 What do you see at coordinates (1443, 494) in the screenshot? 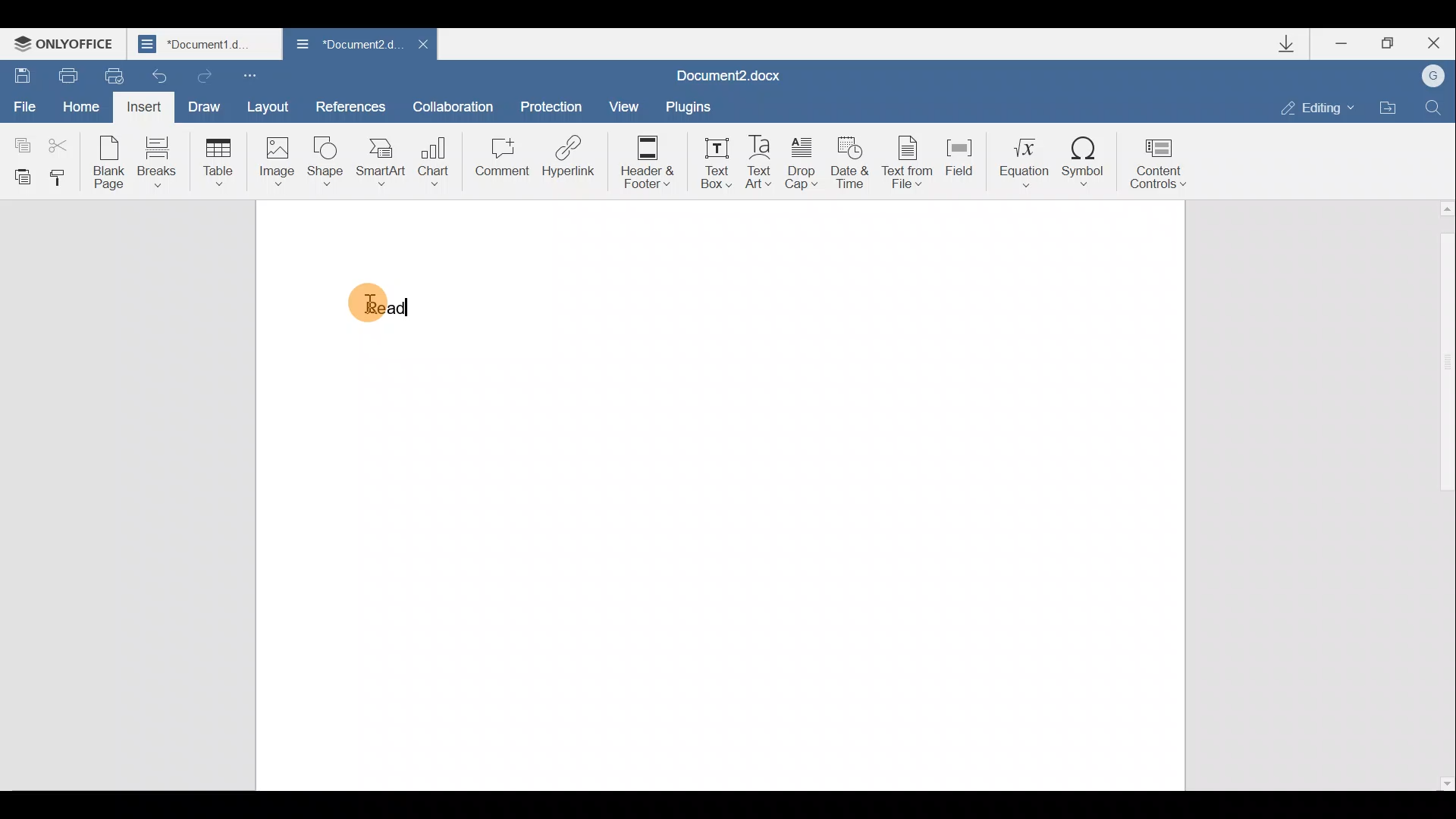
I see `Scroll bar` at bounding box center [1443, 494].